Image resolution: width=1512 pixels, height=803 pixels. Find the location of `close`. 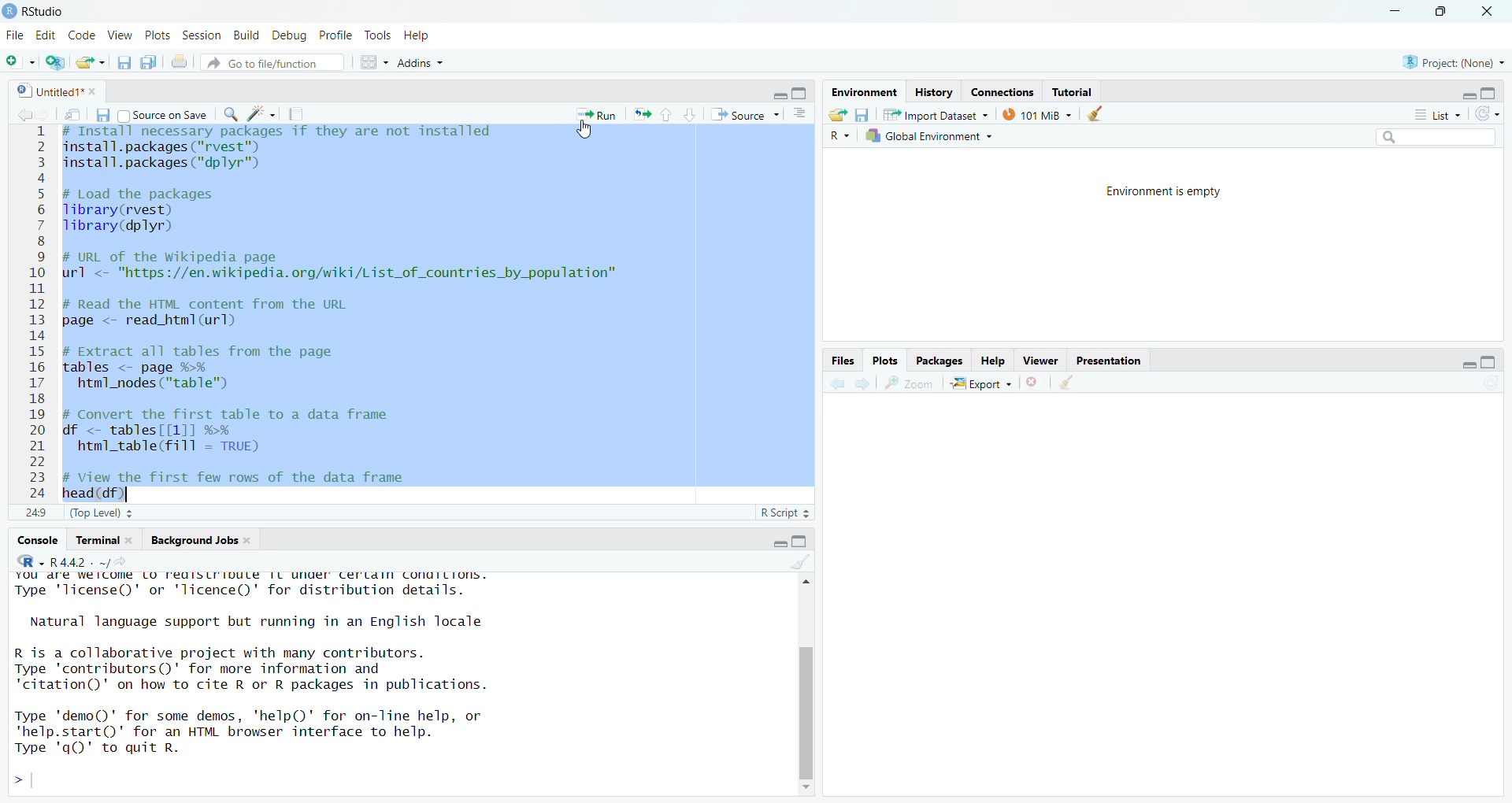

close is located at coordinates (95, 91).